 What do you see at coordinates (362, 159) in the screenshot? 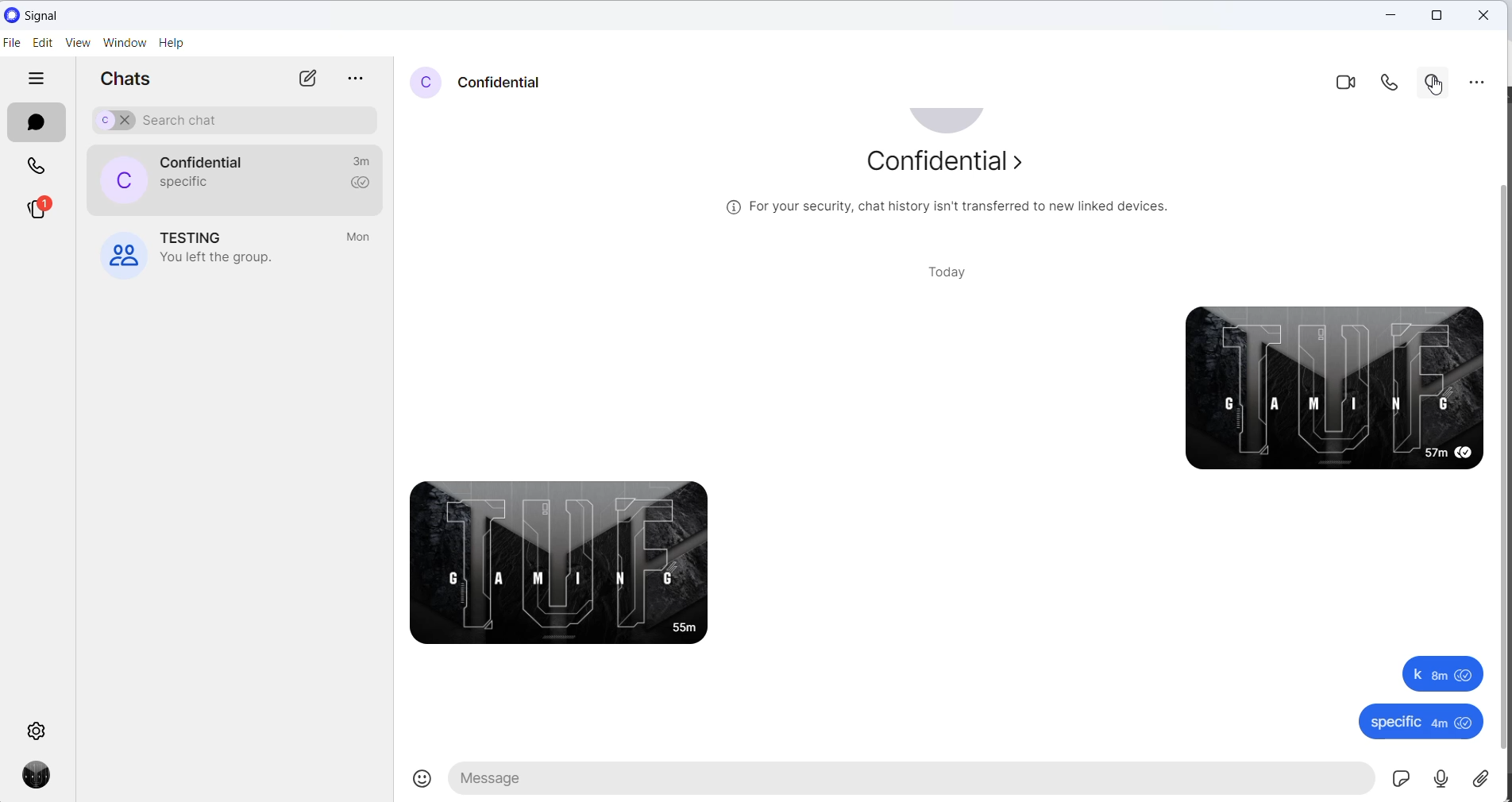
I see `last active time` at bounding box center [362, 159].